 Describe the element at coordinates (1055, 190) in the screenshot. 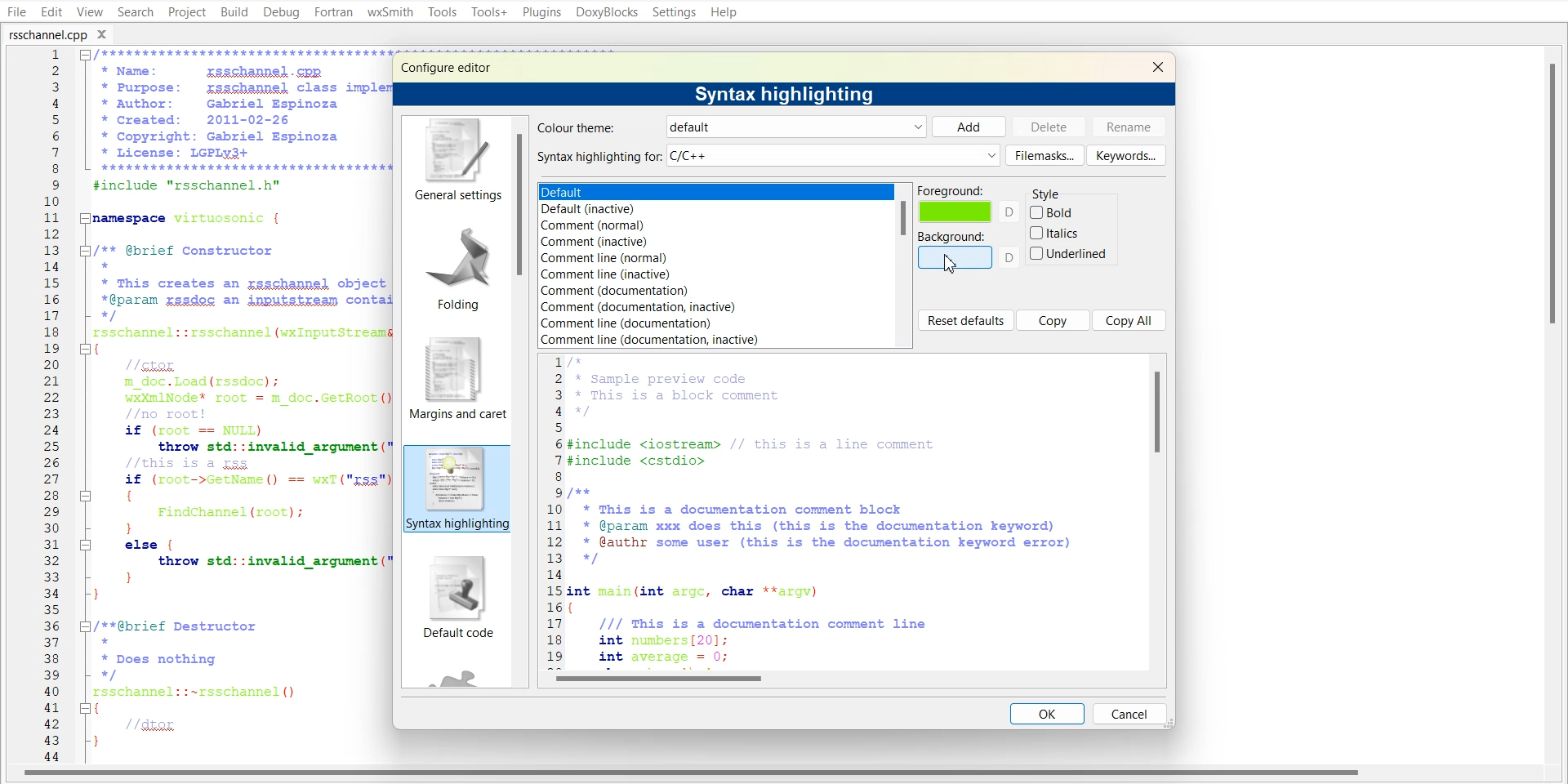

I see `Style` at that location.